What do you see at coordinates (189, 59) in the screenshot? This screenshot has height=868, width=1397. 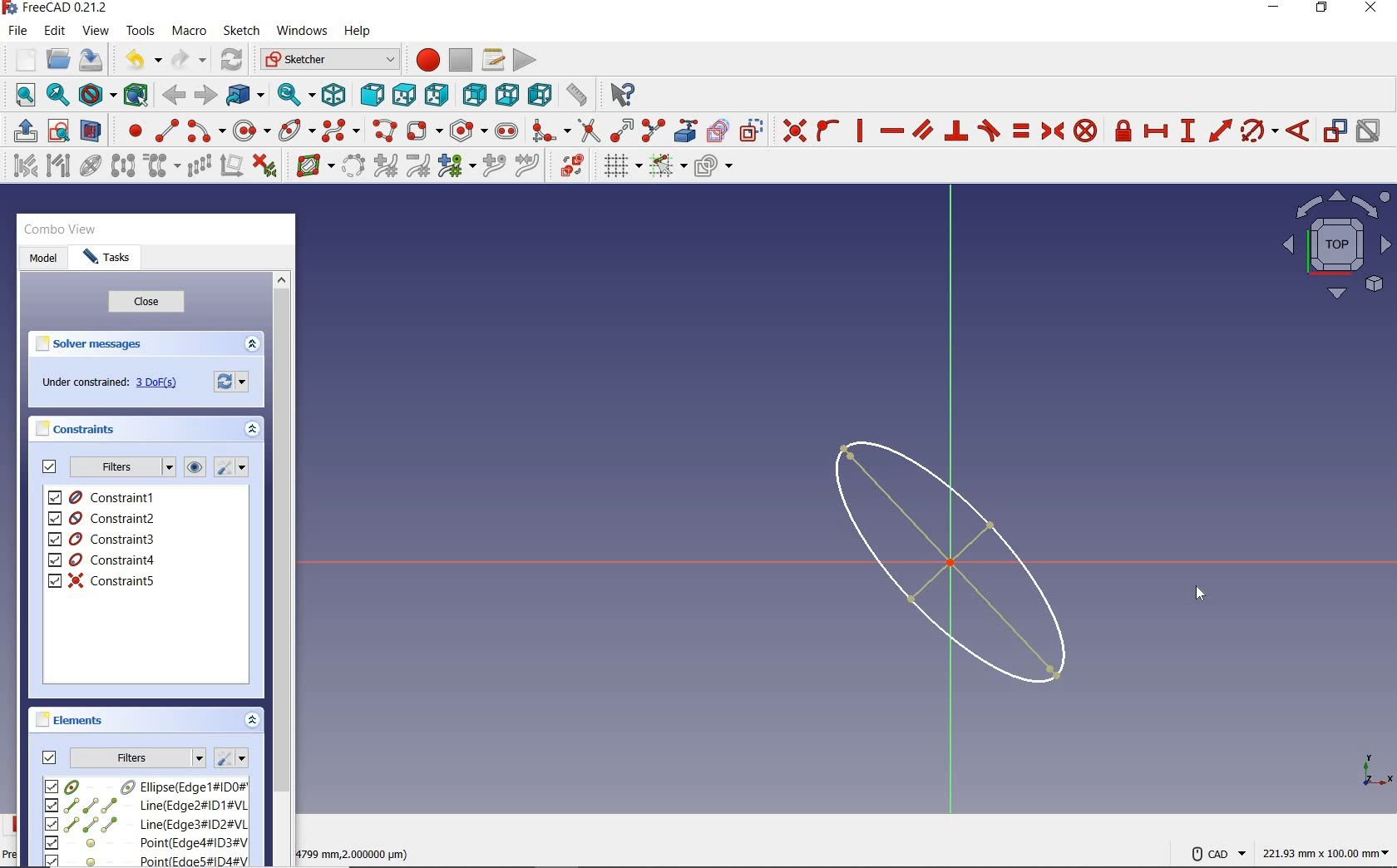 I see `redo` at bounding box center [189, 59].